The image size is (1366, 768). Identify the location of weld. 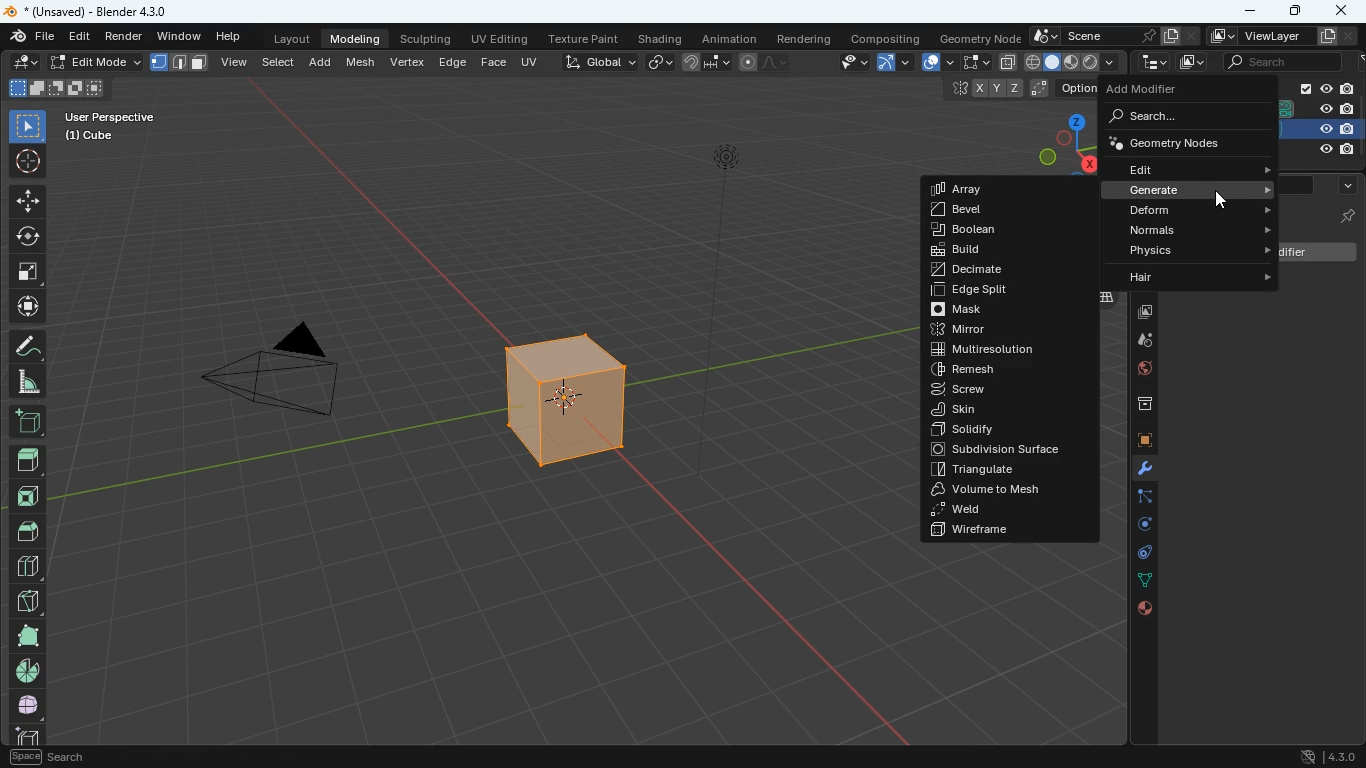
(1001, 510).